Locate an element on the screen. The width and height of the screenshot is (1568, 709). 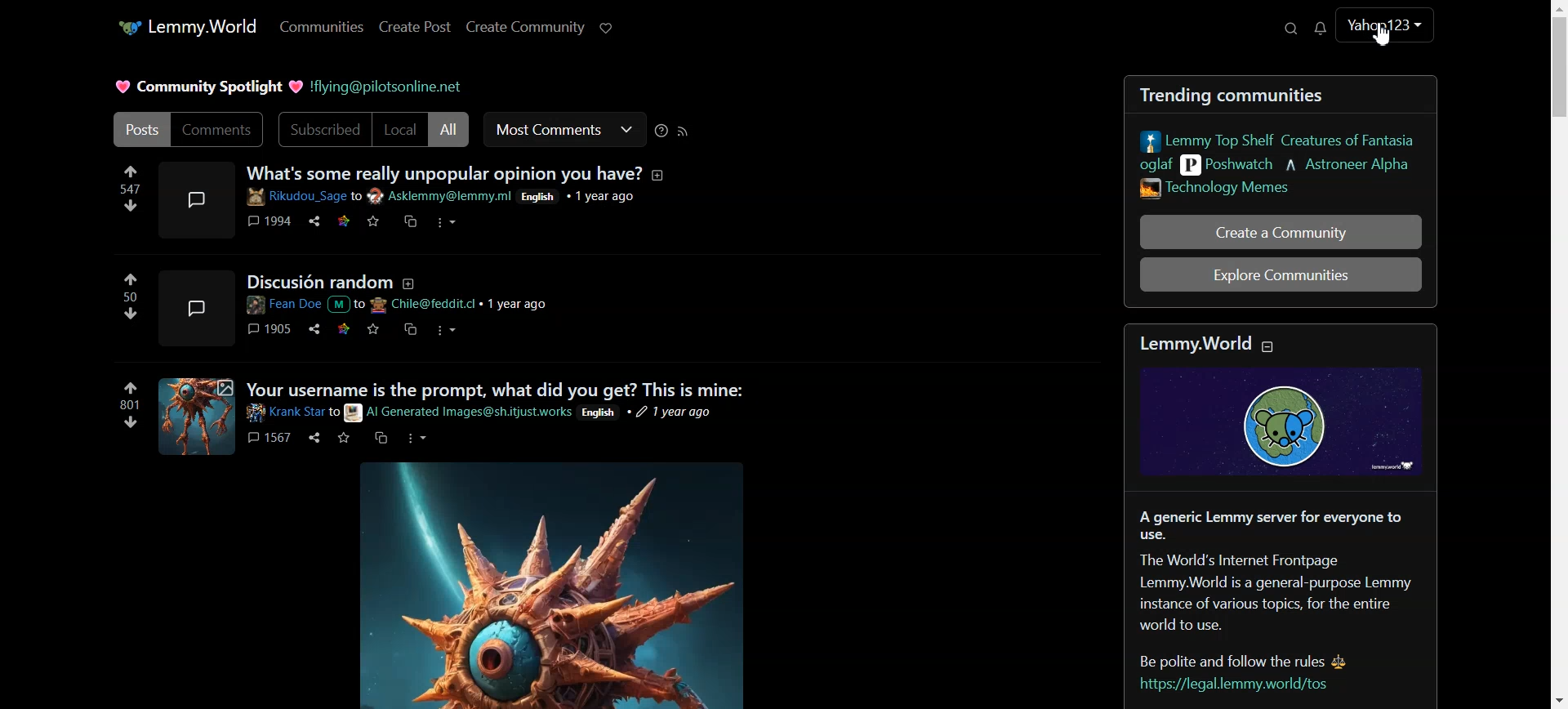
Sorting Help is located at coordinates (662, 132).